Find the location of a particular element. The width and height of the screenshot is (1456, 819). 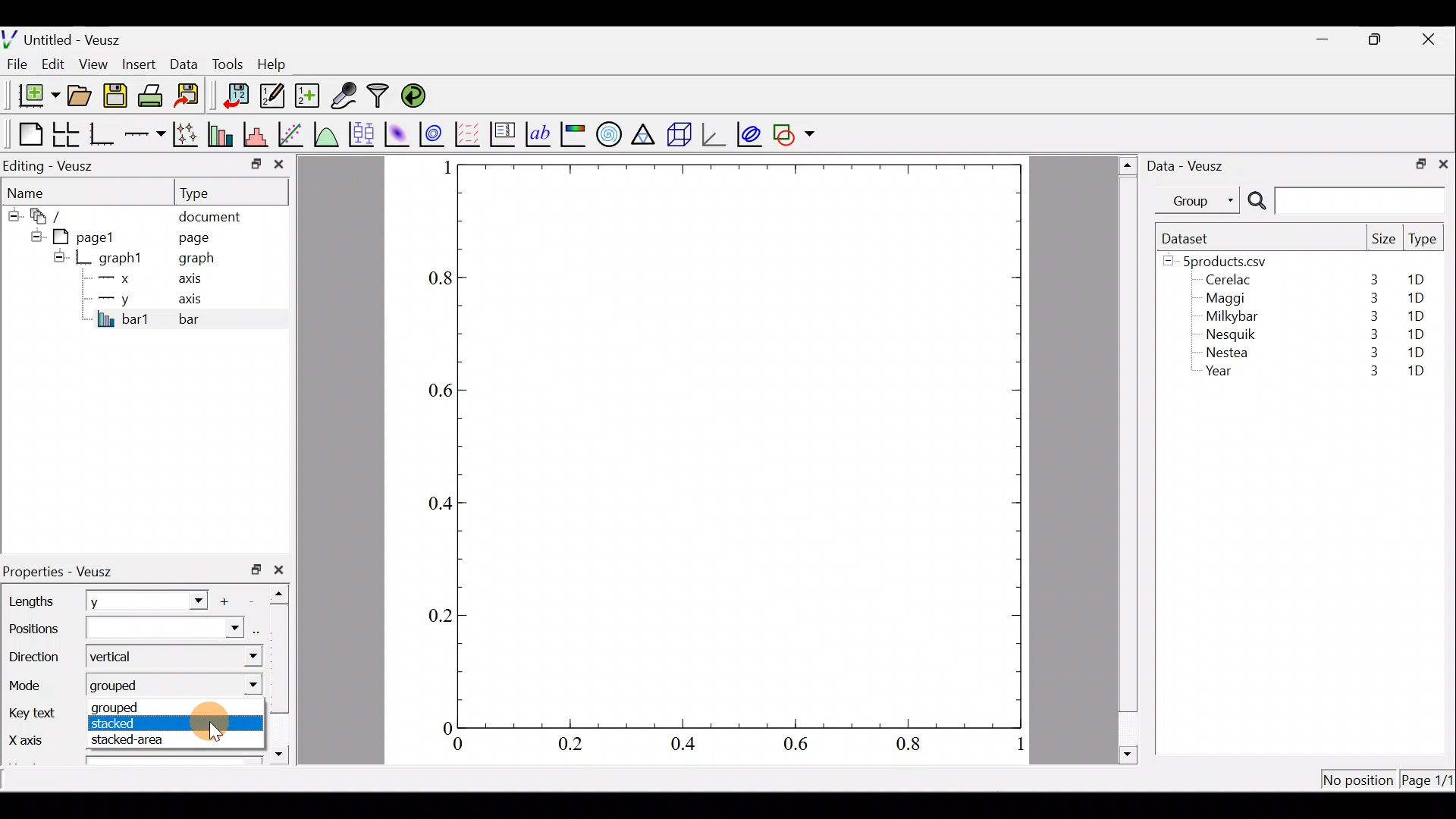

Arrange graphs in a grid is located at coordinates (65, 134).